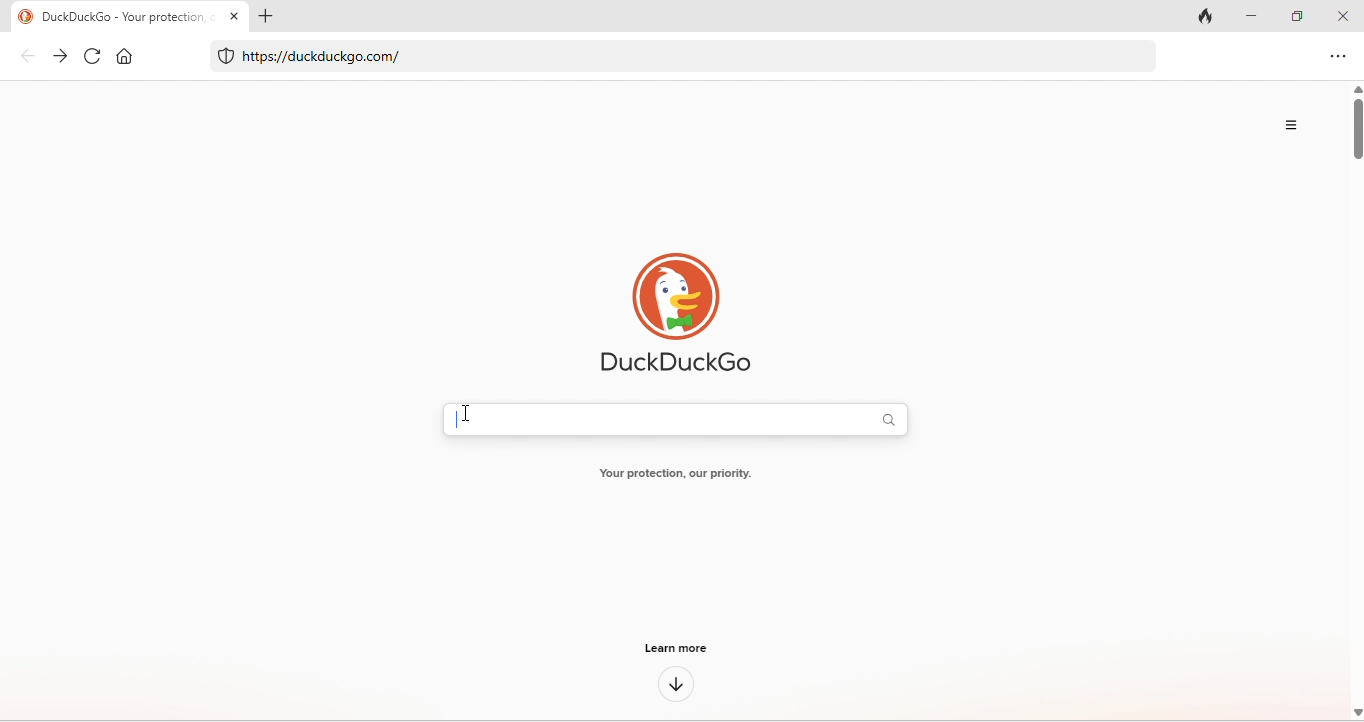  What do you see at coordinates (1251, 14) in the screenshot?
I see `minimize` at bounding box center [1251, 14].